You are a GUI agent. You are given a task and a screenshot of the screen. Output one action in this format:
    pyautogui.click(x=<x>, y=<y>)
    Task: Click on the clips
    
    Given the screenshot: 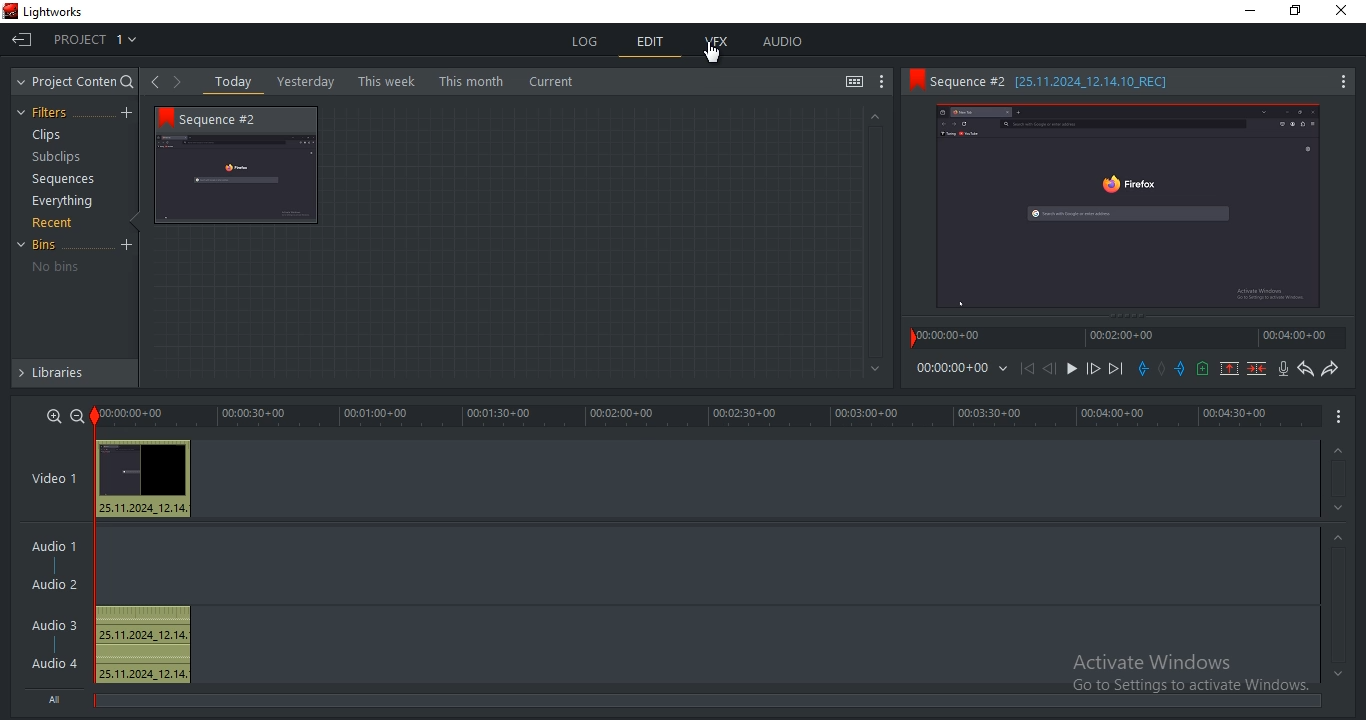 What is the action you would take?
    pyautogui.click(x=49, y=136)
    